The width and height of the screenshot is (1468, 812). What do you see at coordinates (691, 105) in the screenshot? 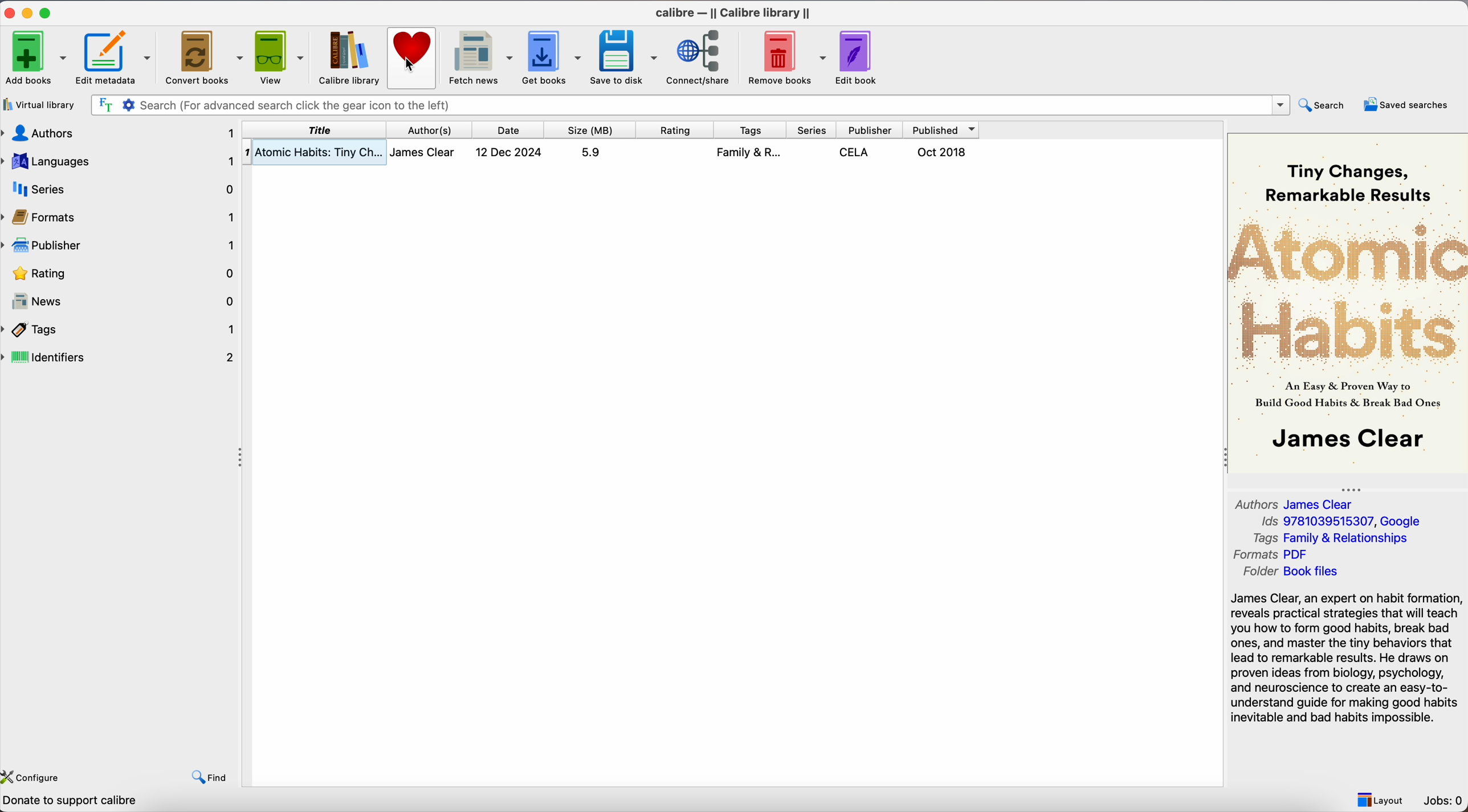
I see `search bar` at bounding box center [691, 105].